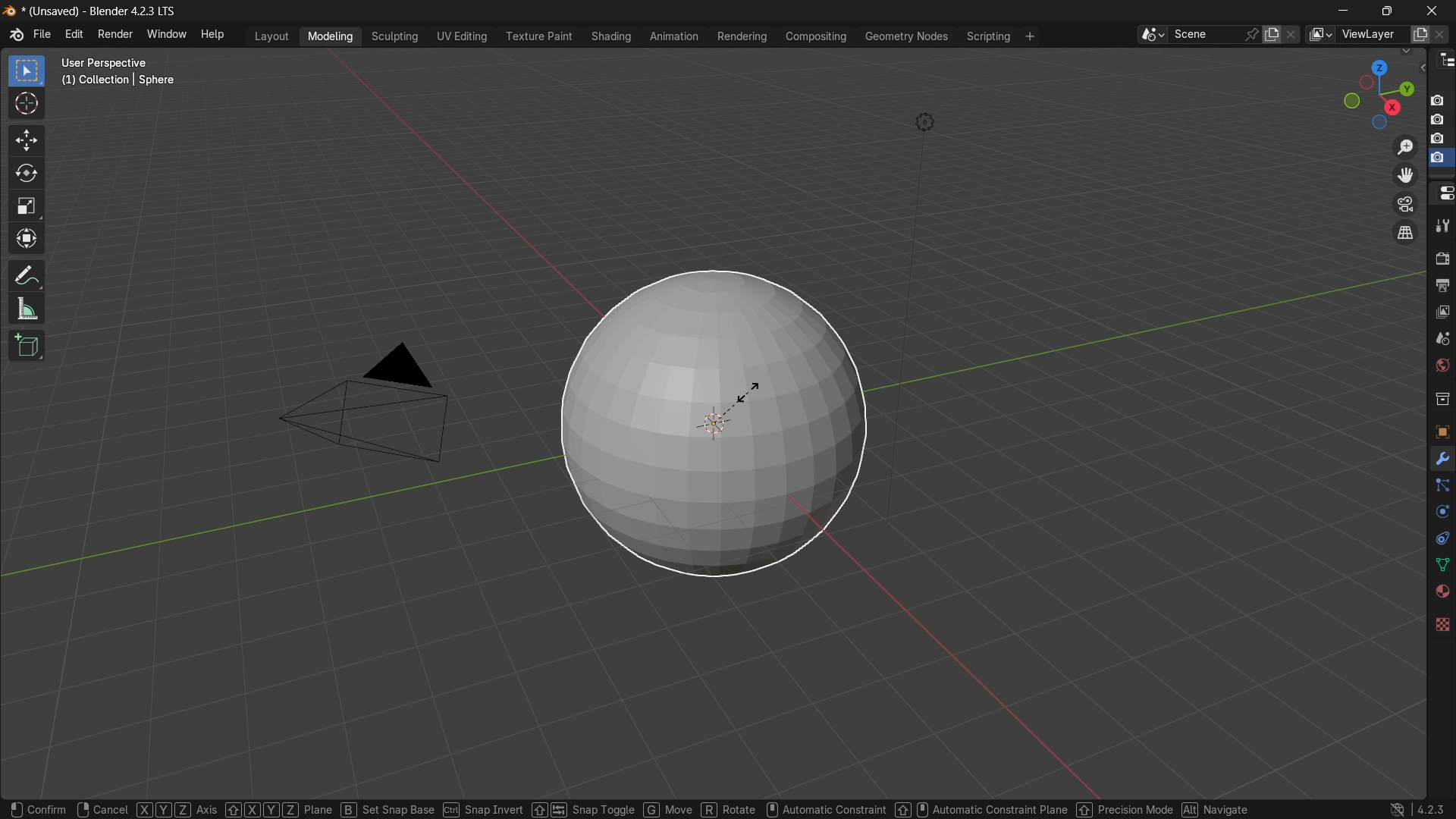 The image size is (1456, 819). What do you see at coordinates (1414, 802) in the screenshot?
I see `4.2.3` at bounding box center [1414, 802].